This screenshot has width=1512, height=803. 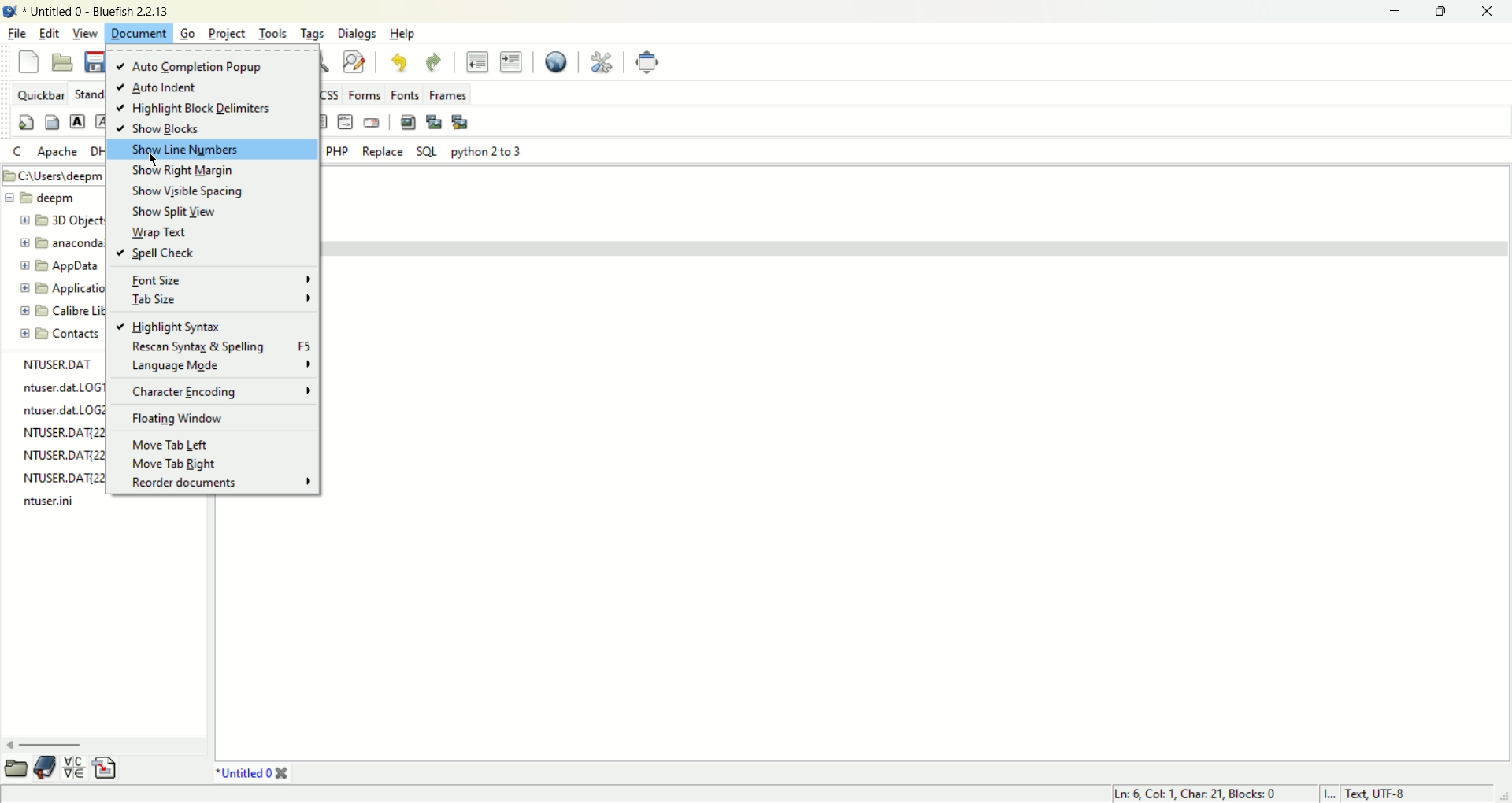 What do you see at coordinates (49, 500) in the screenshot?
I see `ntuser.ini` at bounding box center [49, 500].